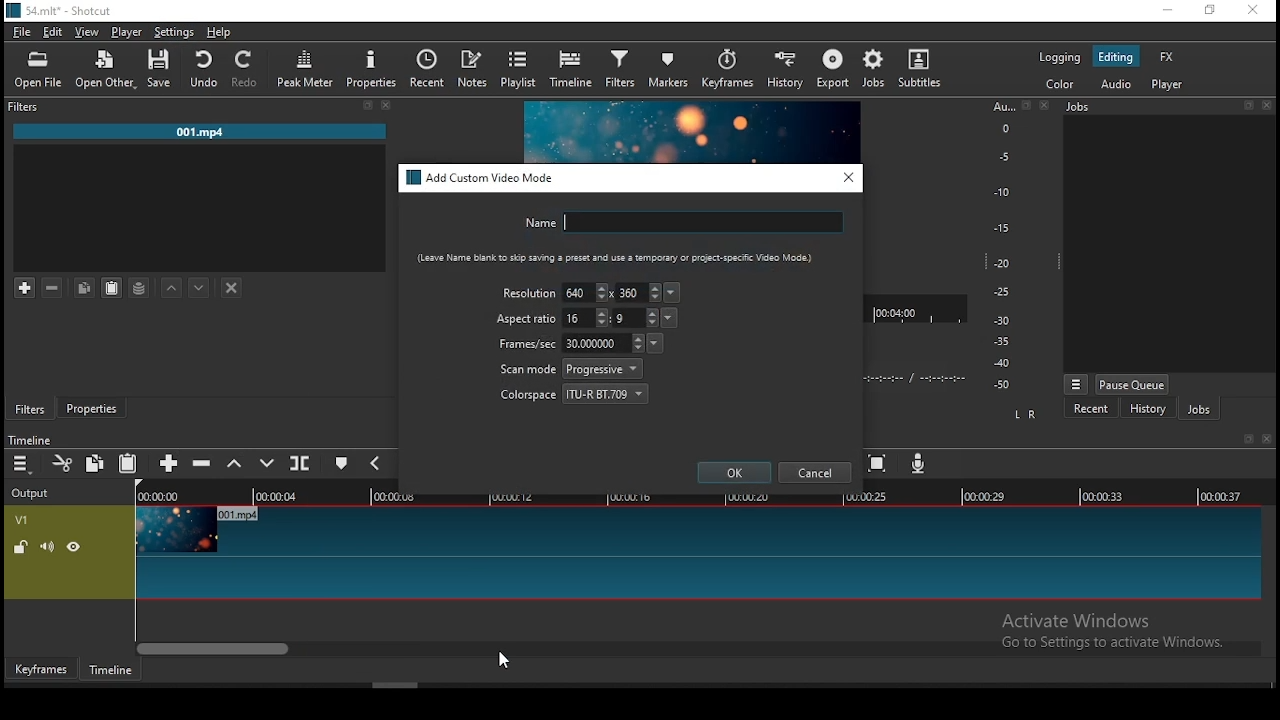 The width and height of the screenshot is (1280, 720). Describe the element at coordinates (111, 670) in the screenshot. I see `timeline` at that location.